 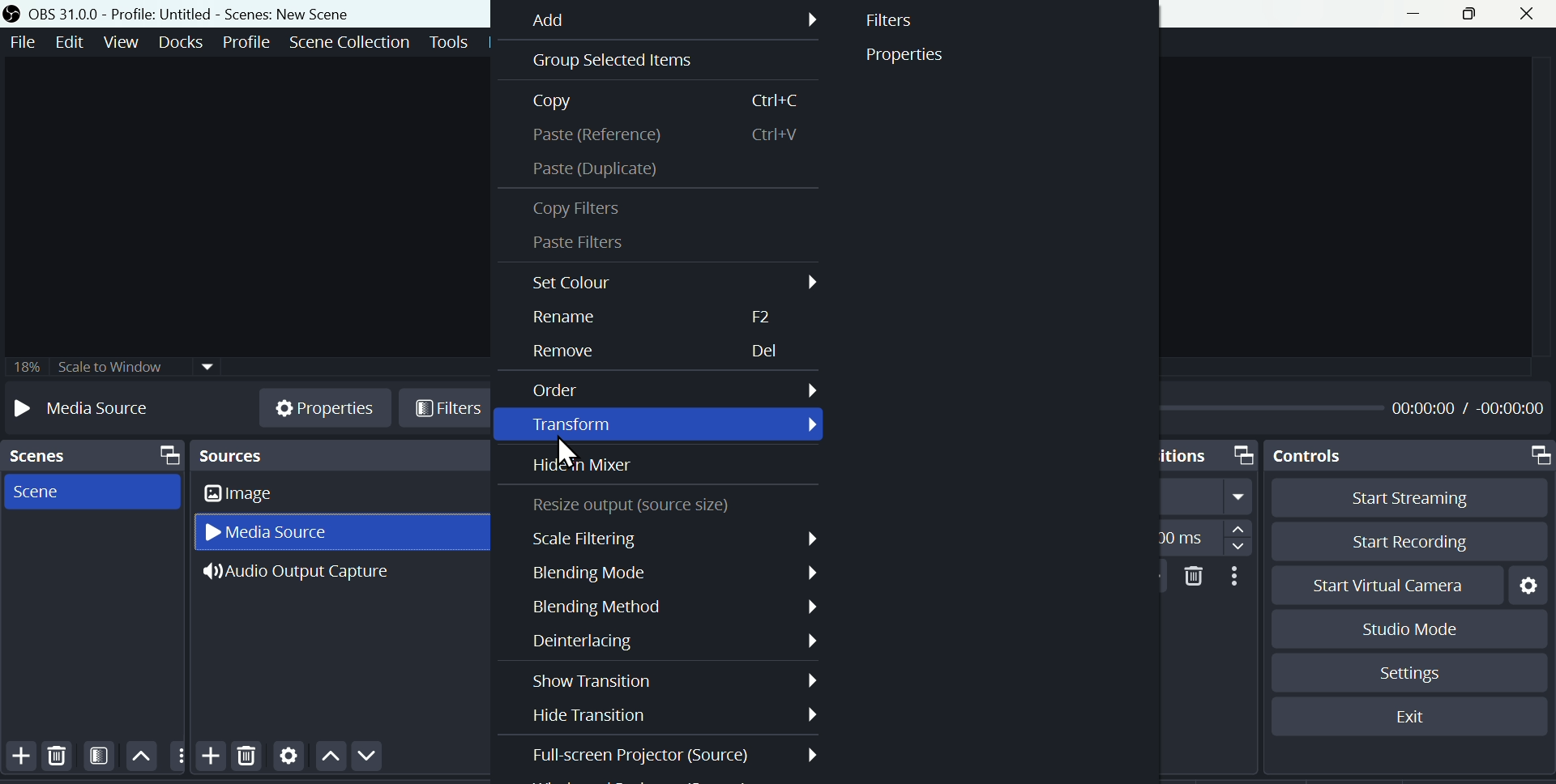 I want to click on Copy Filters, so click(x=588, y=210).